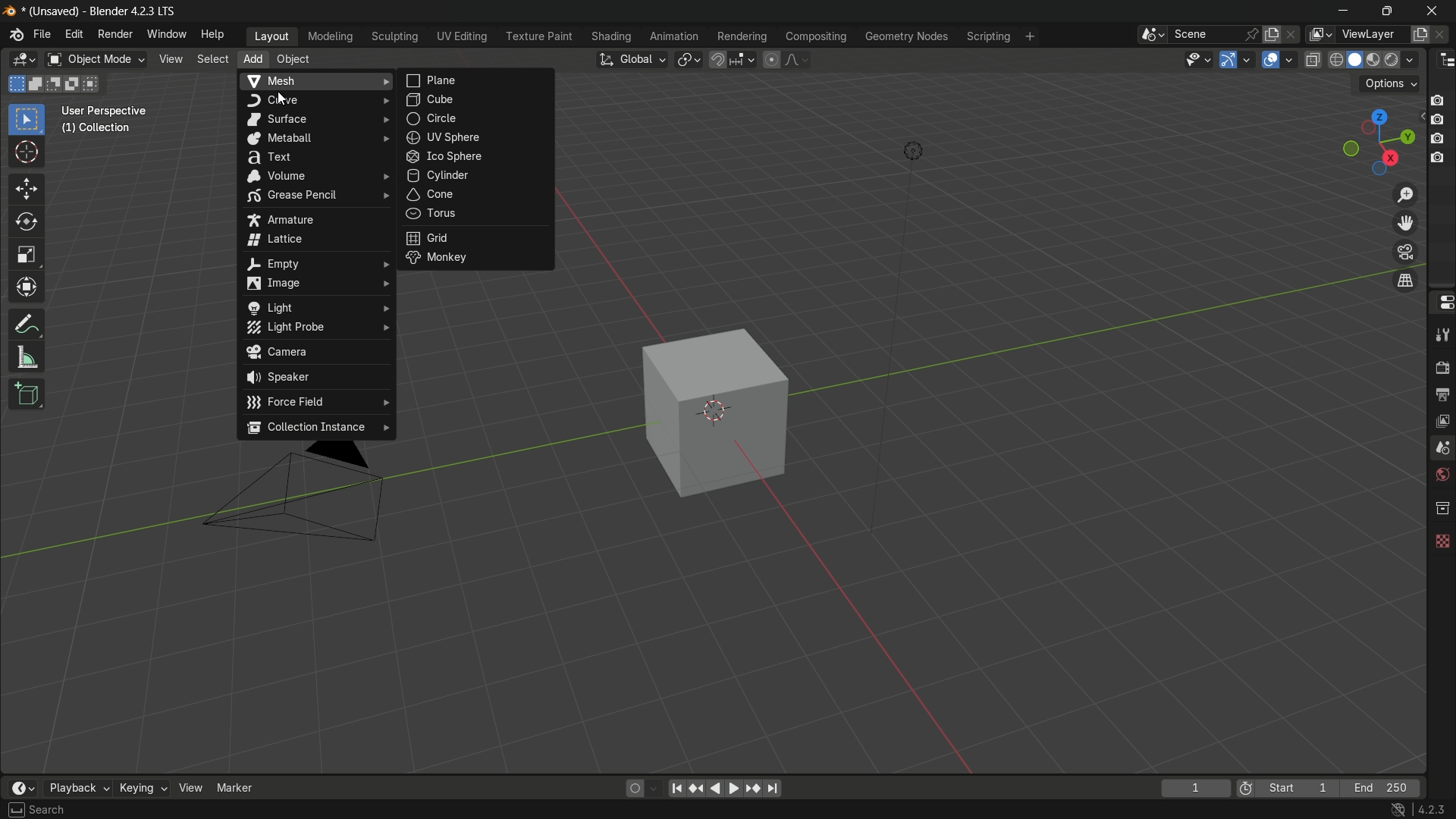 This screenshot has width=1456, height=819. What do you see at coordinates (1196, 787) in the screenshot?
I see `current frame` at bounding box center [1196, 787].